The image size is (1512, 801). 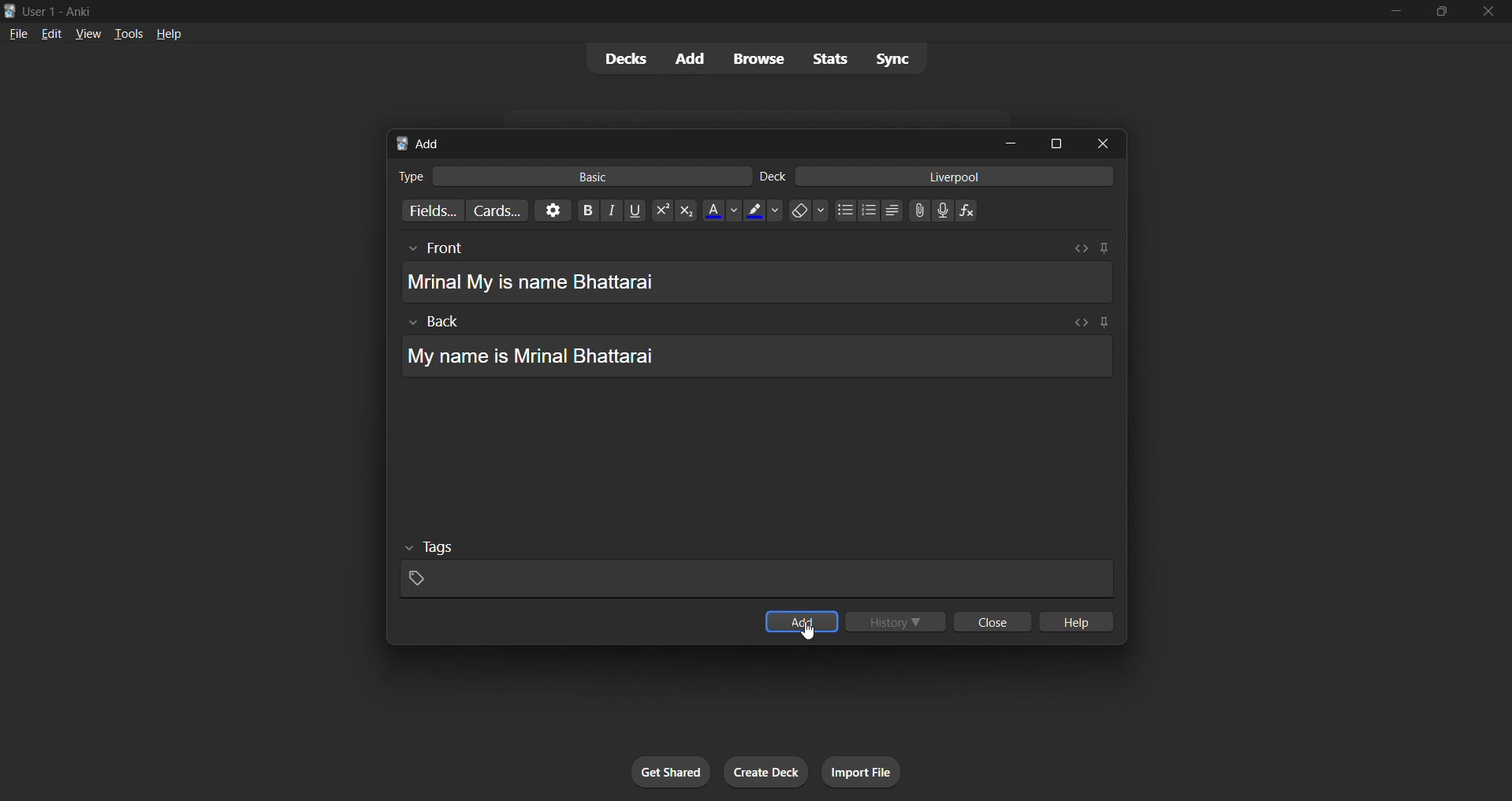 I want to click on sync, so click(x=888, y=59).